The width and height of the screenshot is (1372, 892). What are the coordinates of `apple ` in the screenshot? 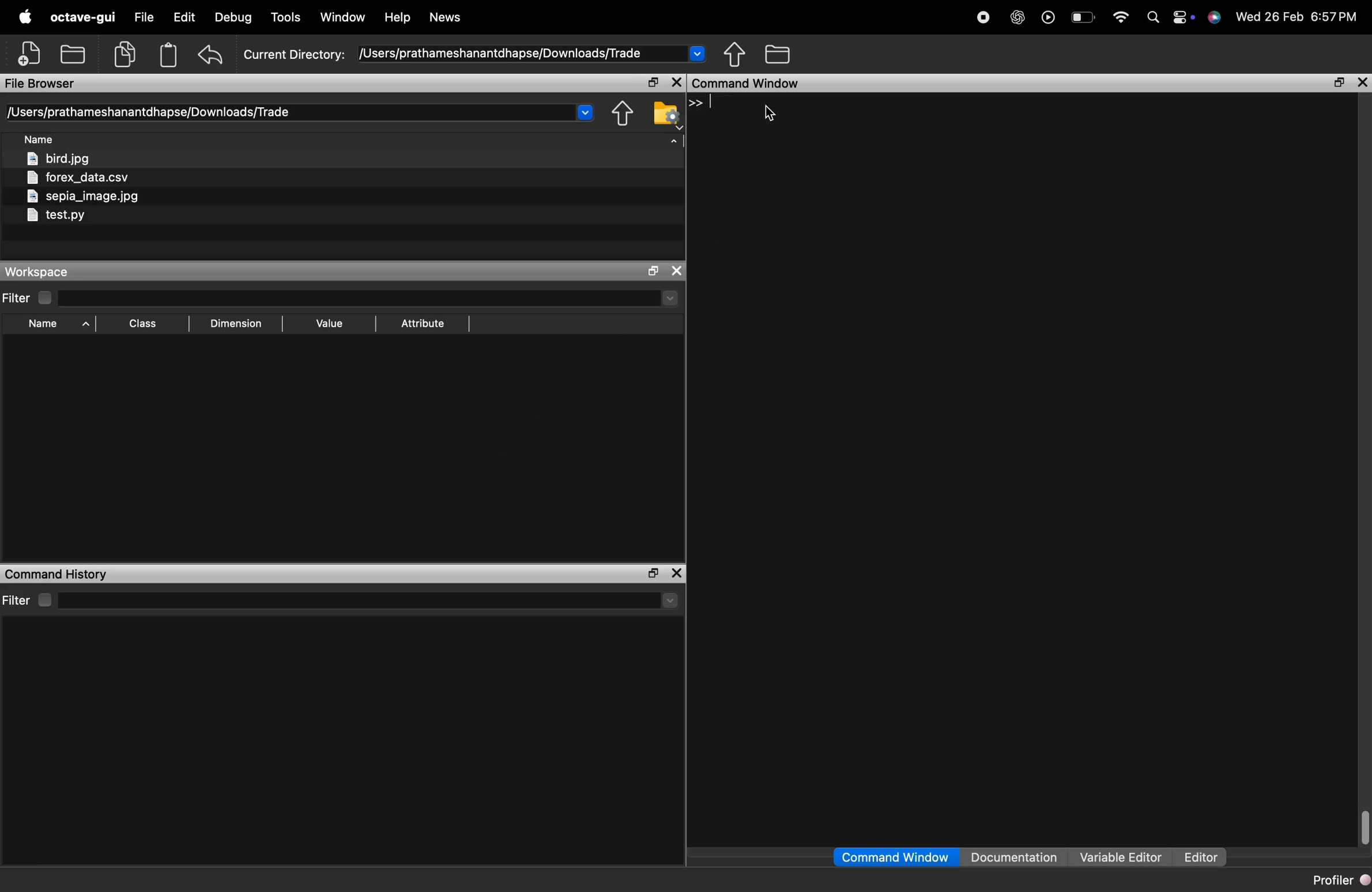 It's located at (25, 17).